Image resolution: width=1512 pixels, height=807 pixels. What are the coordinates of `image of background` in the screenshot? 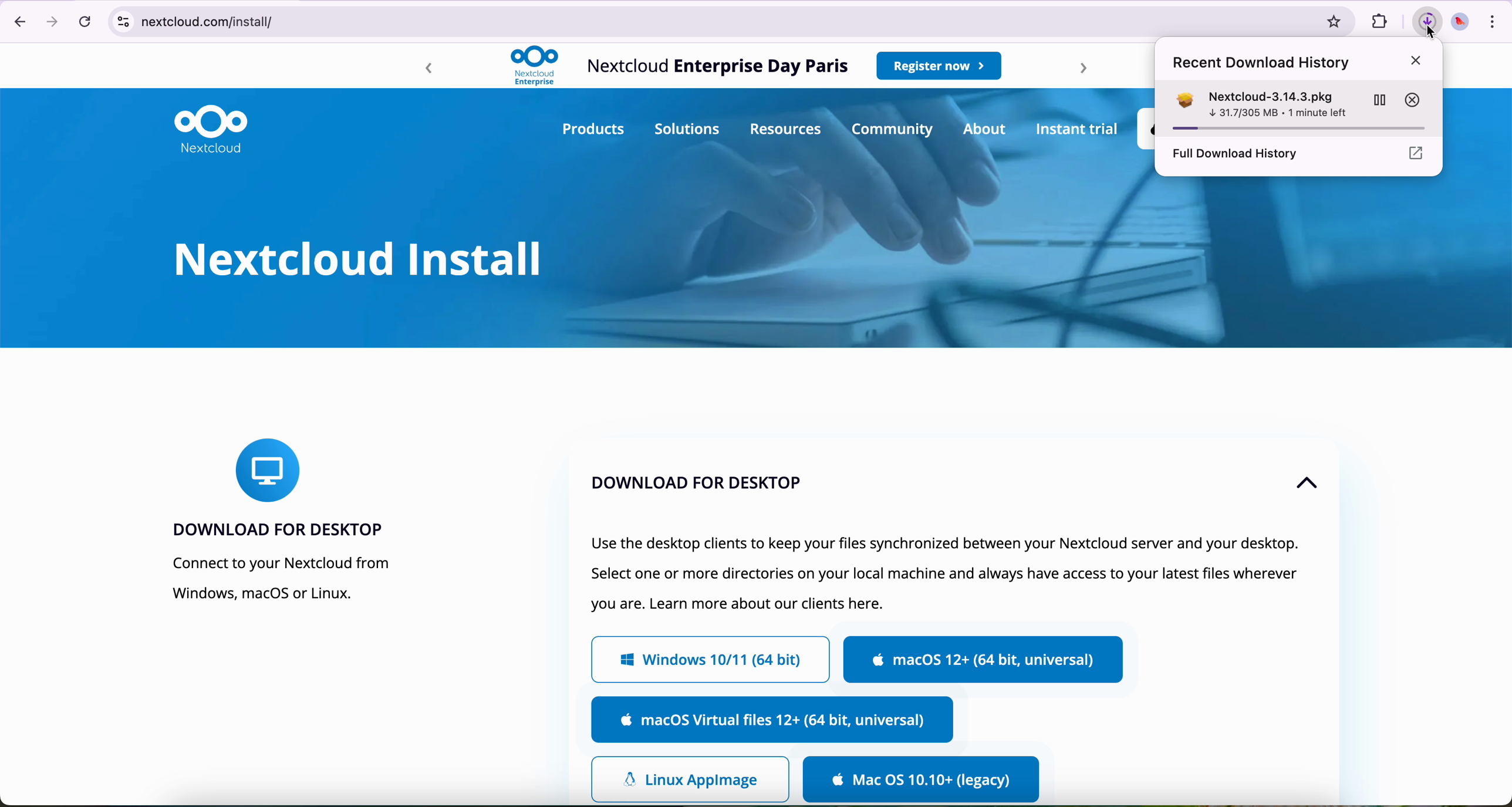 It's located at (1034, 265).